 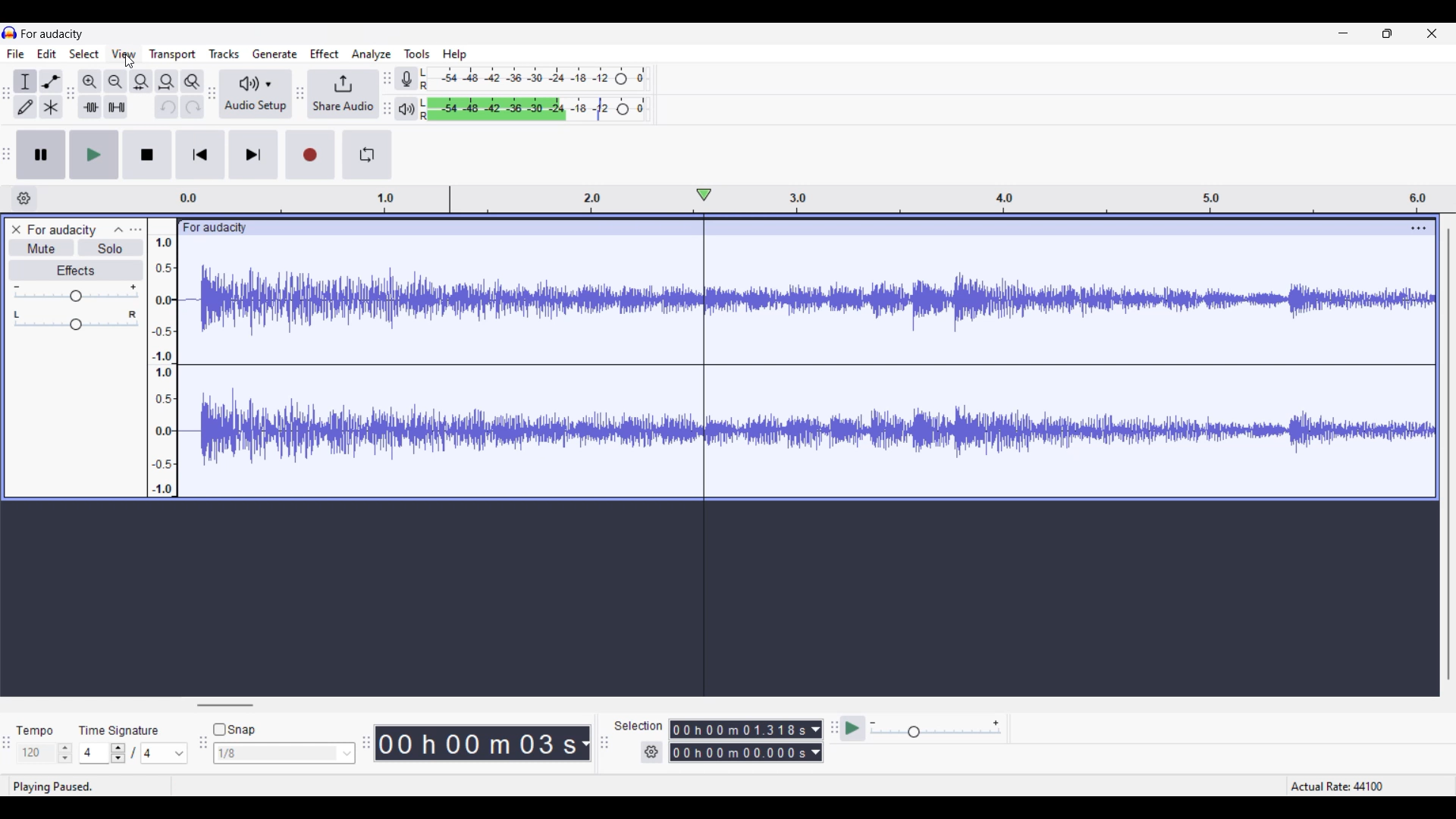 What do you see at coordinates (136, 230) in the screenshot?
I see `Open menu` at bounding box center [136, 230].